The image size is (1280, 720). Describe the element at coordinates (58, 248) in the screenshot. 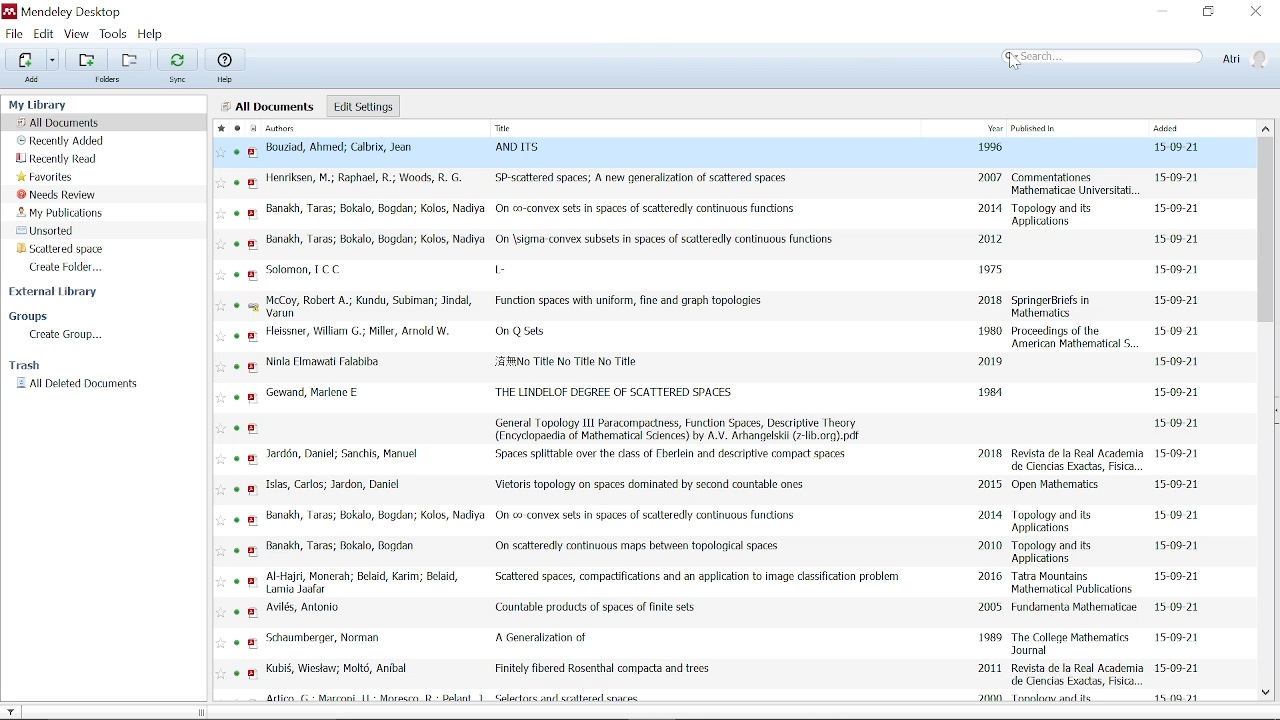

I see `Scattered space` at that location.